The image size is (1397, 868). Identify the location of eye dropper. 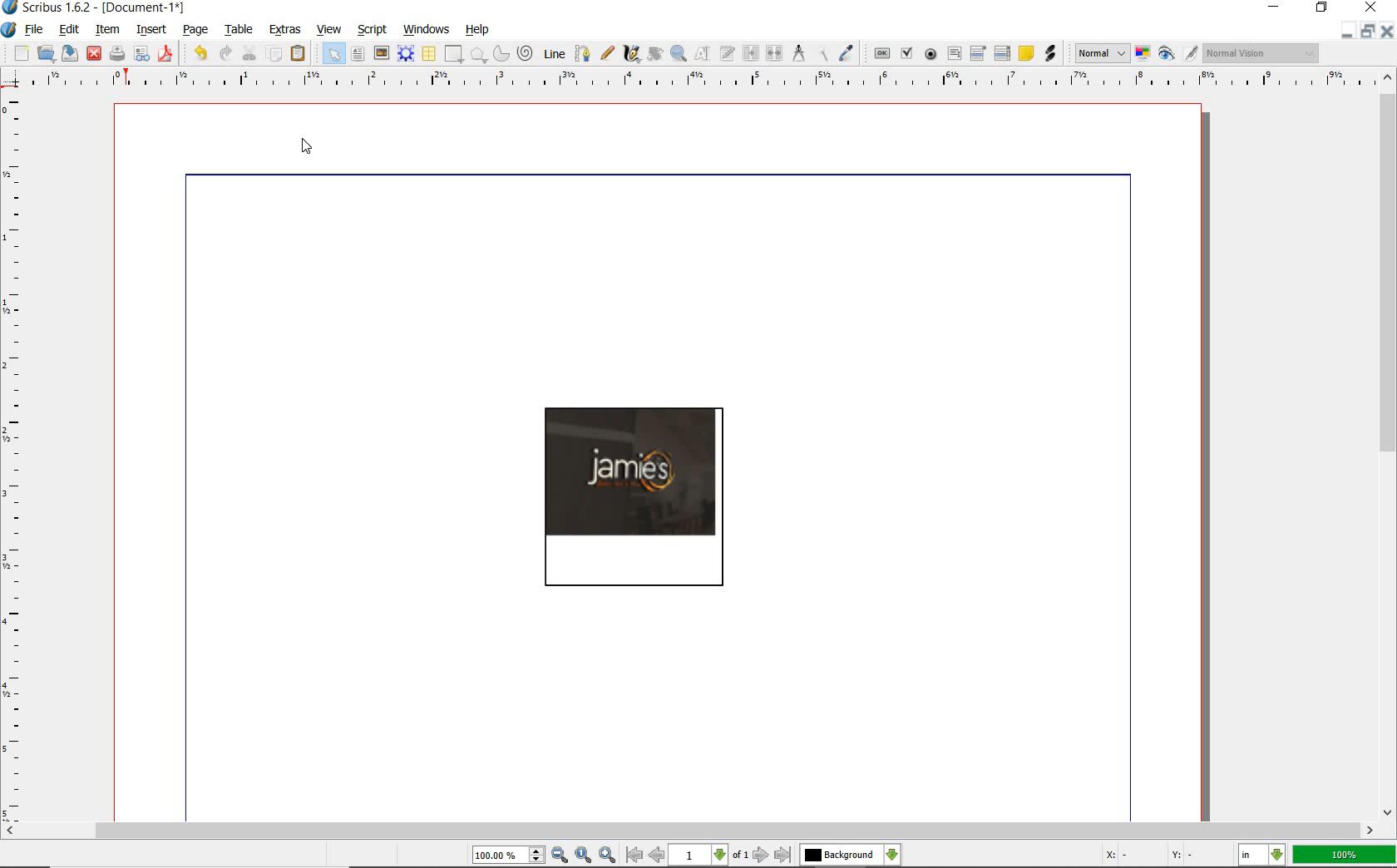
(848, 52).